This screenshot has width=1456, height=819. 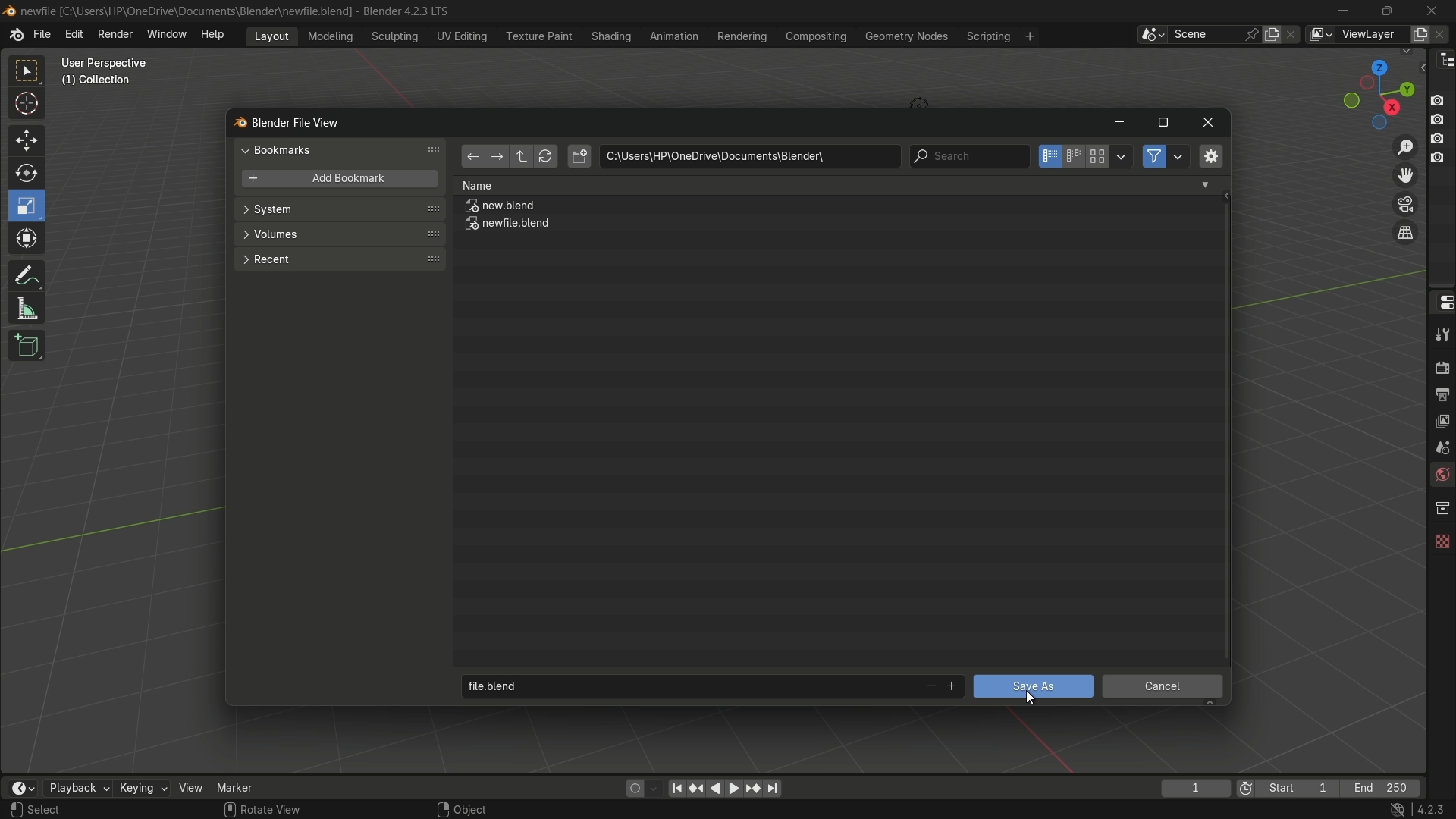 What do you see at coordinates (1441, 538) in the screenshot?
I see `texture` at bounding box center [1441, 538].